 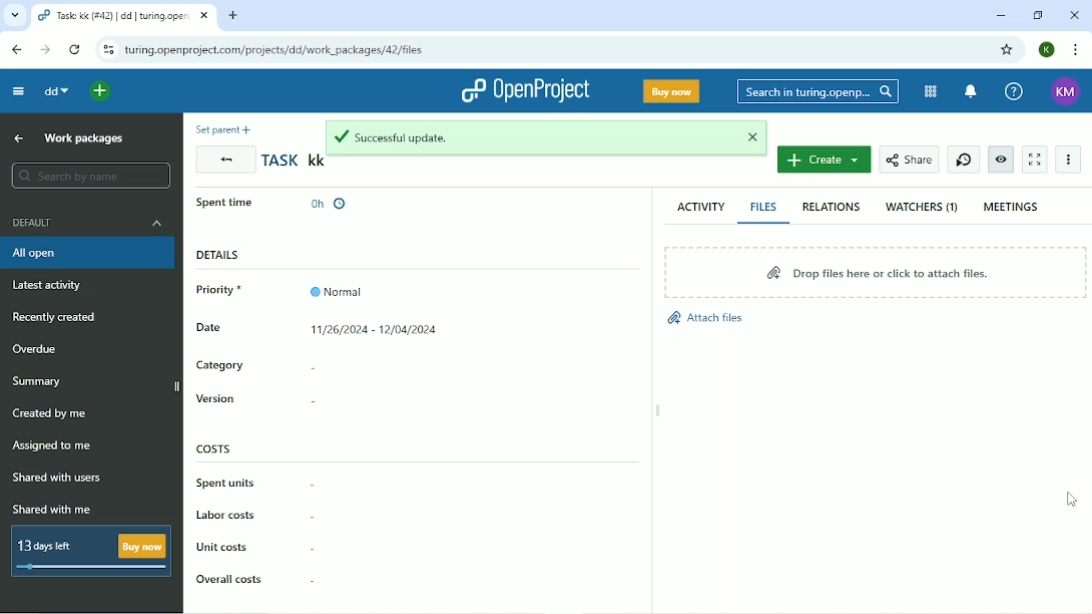 What do you see at coordinates (875, 272) in the screenshot?
I see `Drag files here or click to attach files` at bounding box center [875, 272].